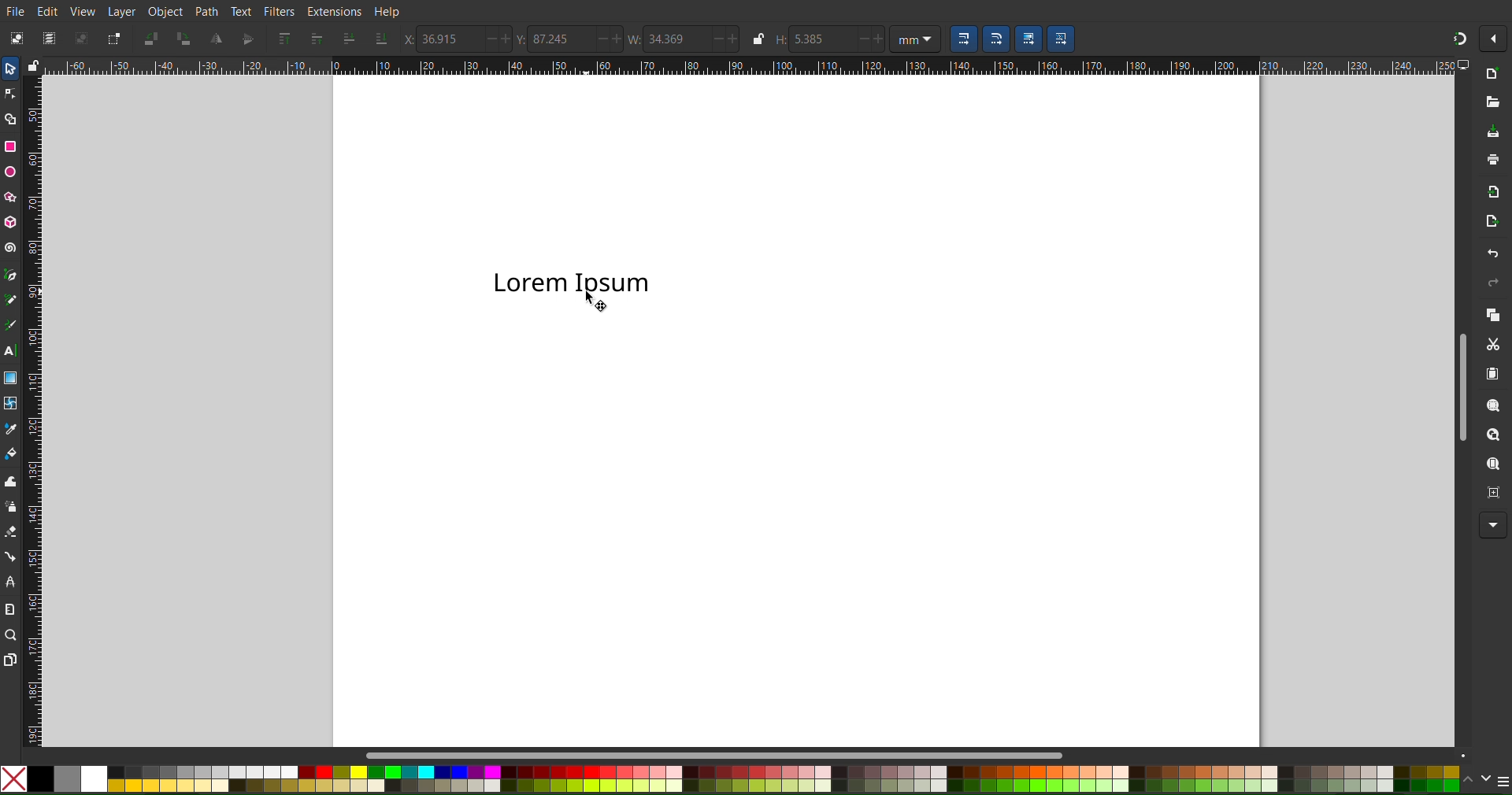 The width and height of the screenshot is (1512, 795). What do you see at coordinates (217, 39) in the screenshot?
I see `Mirror Vertically` at bounding box center [217, 39].